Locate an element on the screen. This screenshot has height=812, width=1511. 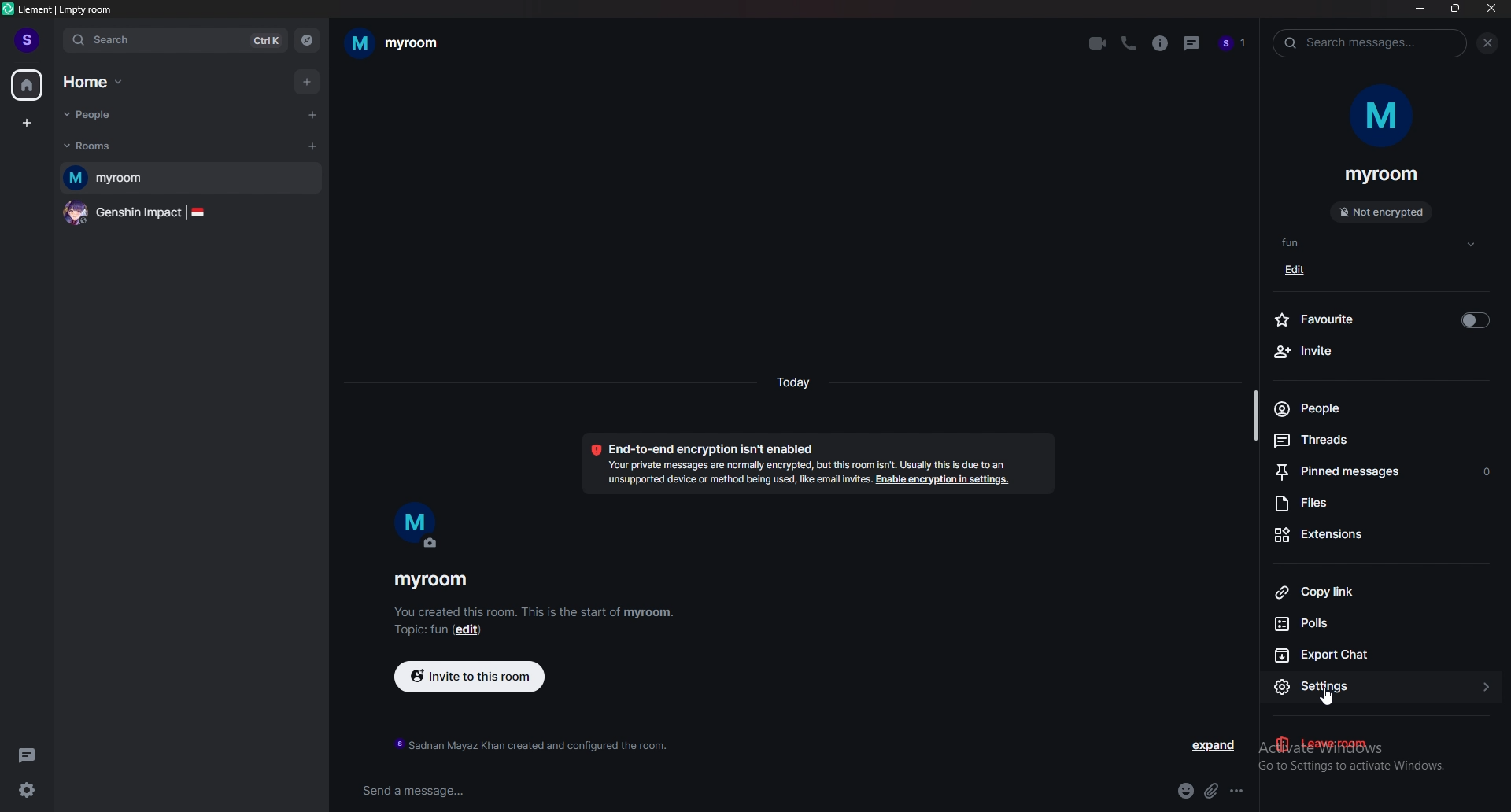
You created this room. This is the start of myroom is located at coordinates (536, 614).